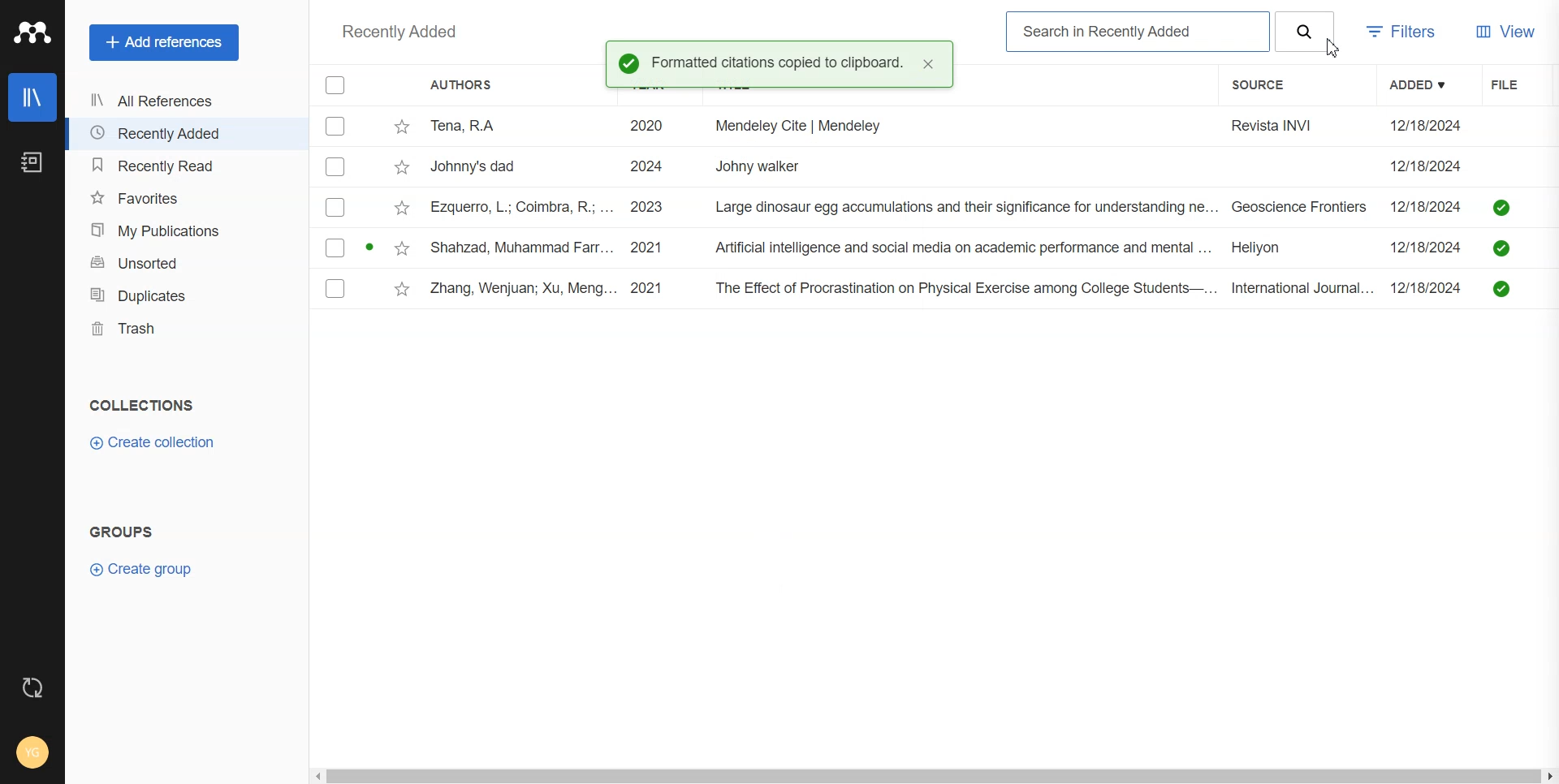  I want to click on Johnny's dad 2024 Johny walker, so click(901, 169).